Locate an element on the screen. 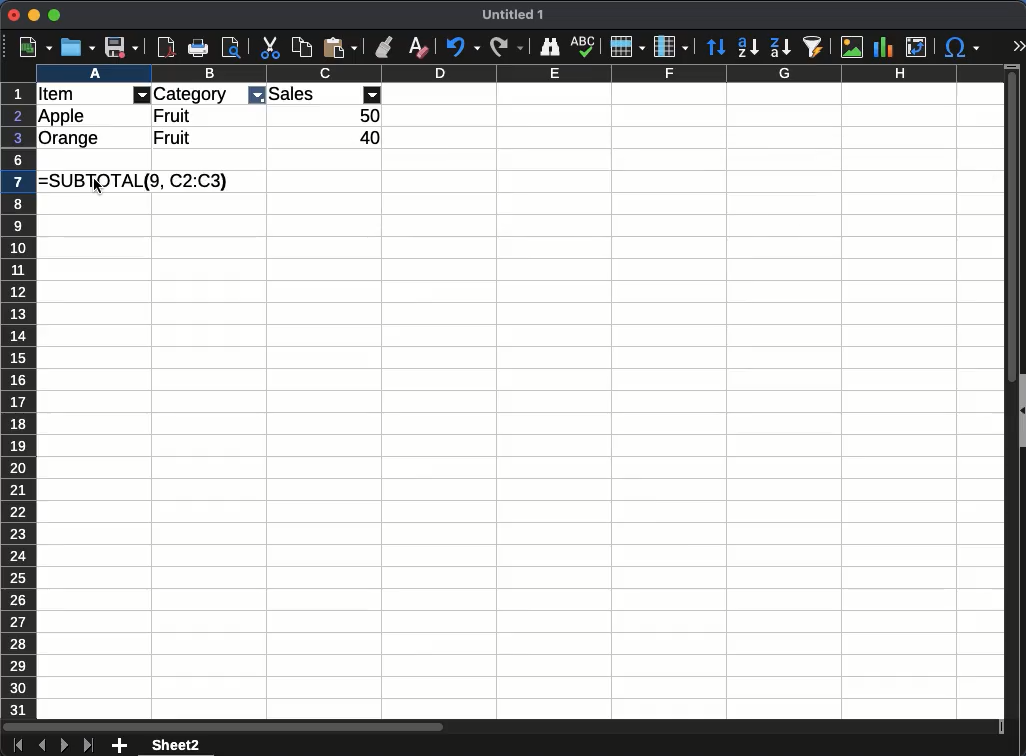 Image resolution: width=1026 pixels, height=756 pixels. next sheet is located at coordinates (64, 746).